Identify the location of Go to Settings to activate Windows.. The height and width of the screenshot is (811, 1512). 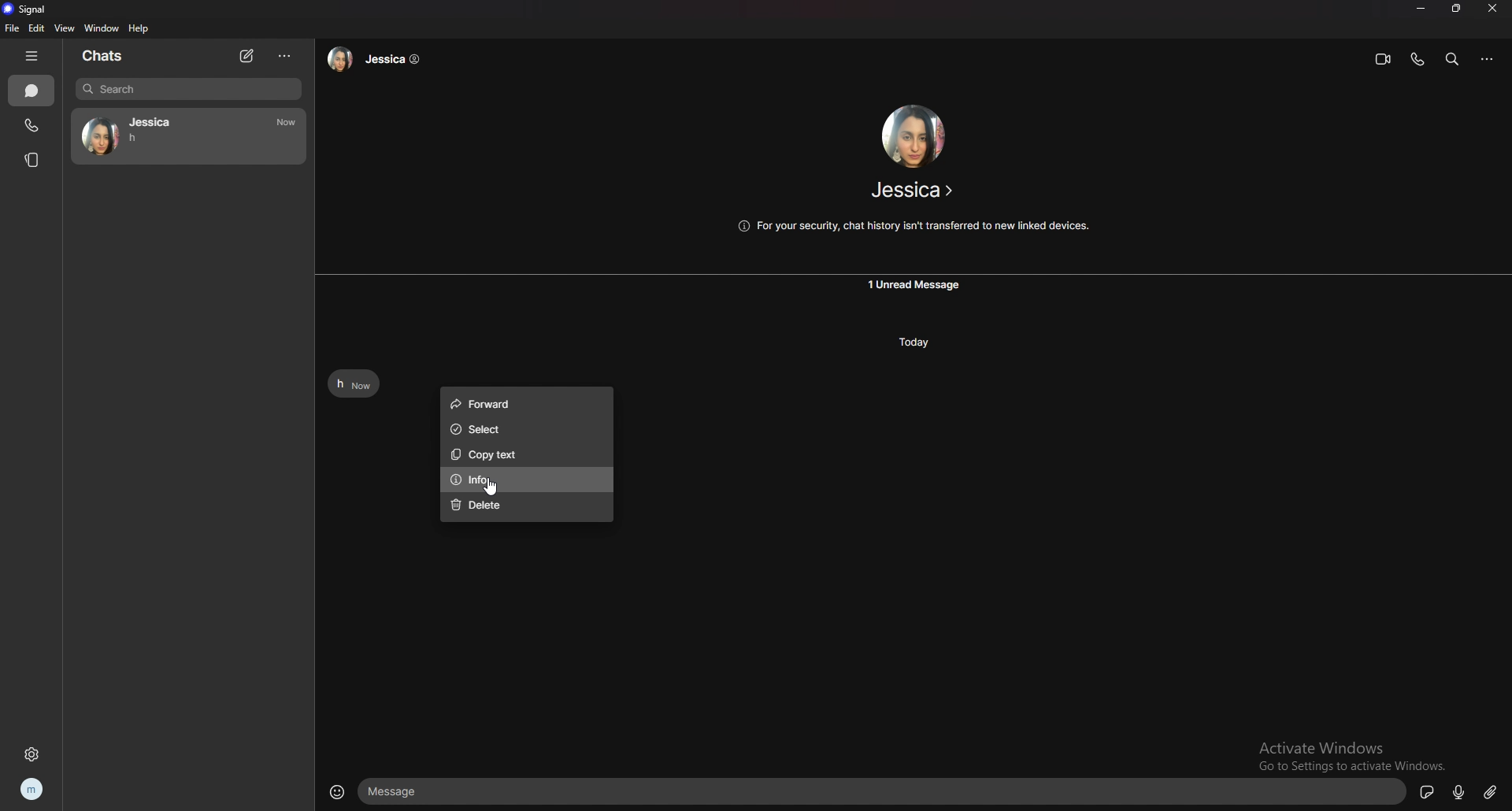
(1352, 764).